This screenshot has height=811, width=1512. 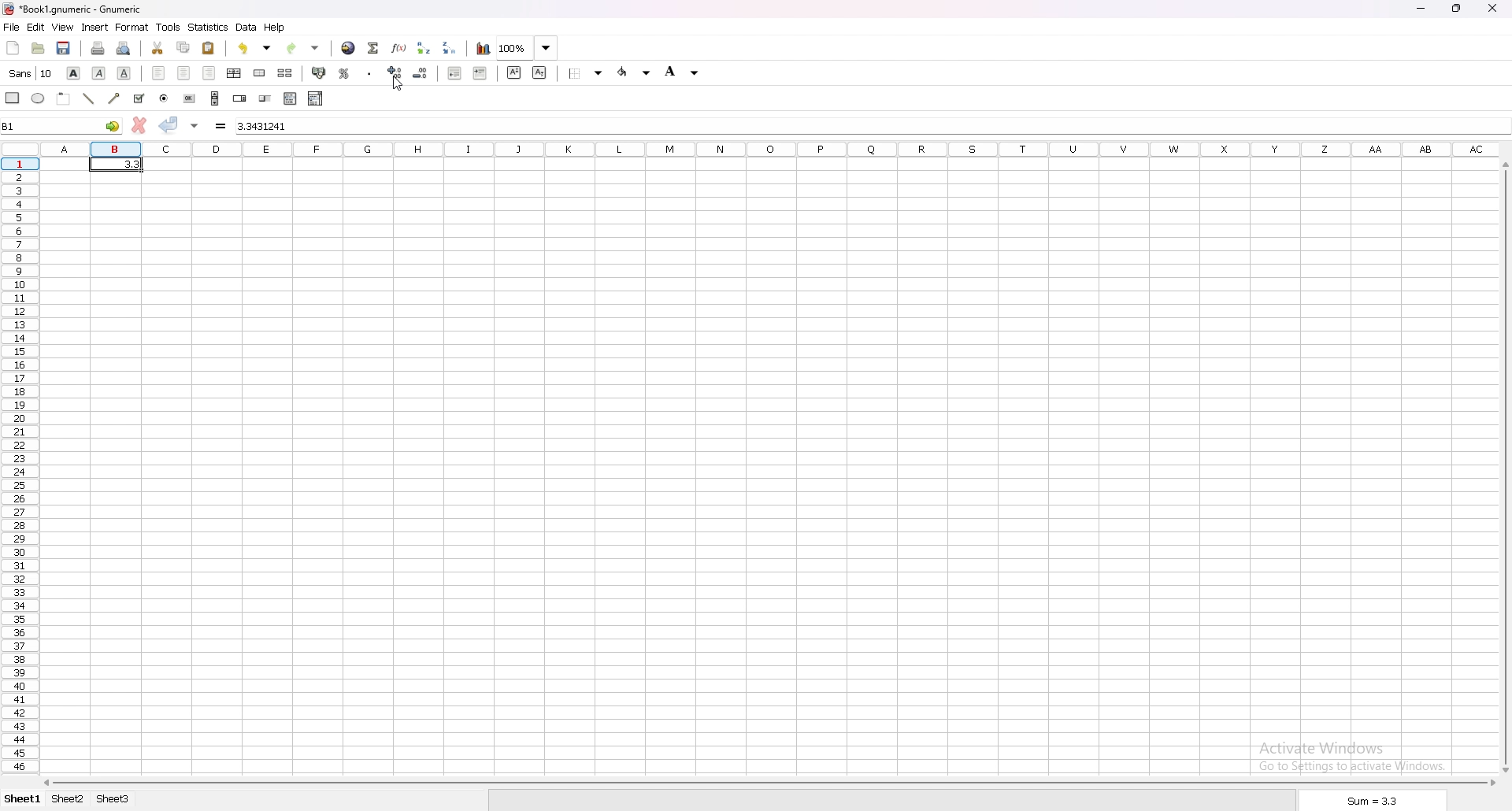 What do you see at coordinates (124, 48) in the screenshot?
I see `print preview` at bounding box center [124, 48].